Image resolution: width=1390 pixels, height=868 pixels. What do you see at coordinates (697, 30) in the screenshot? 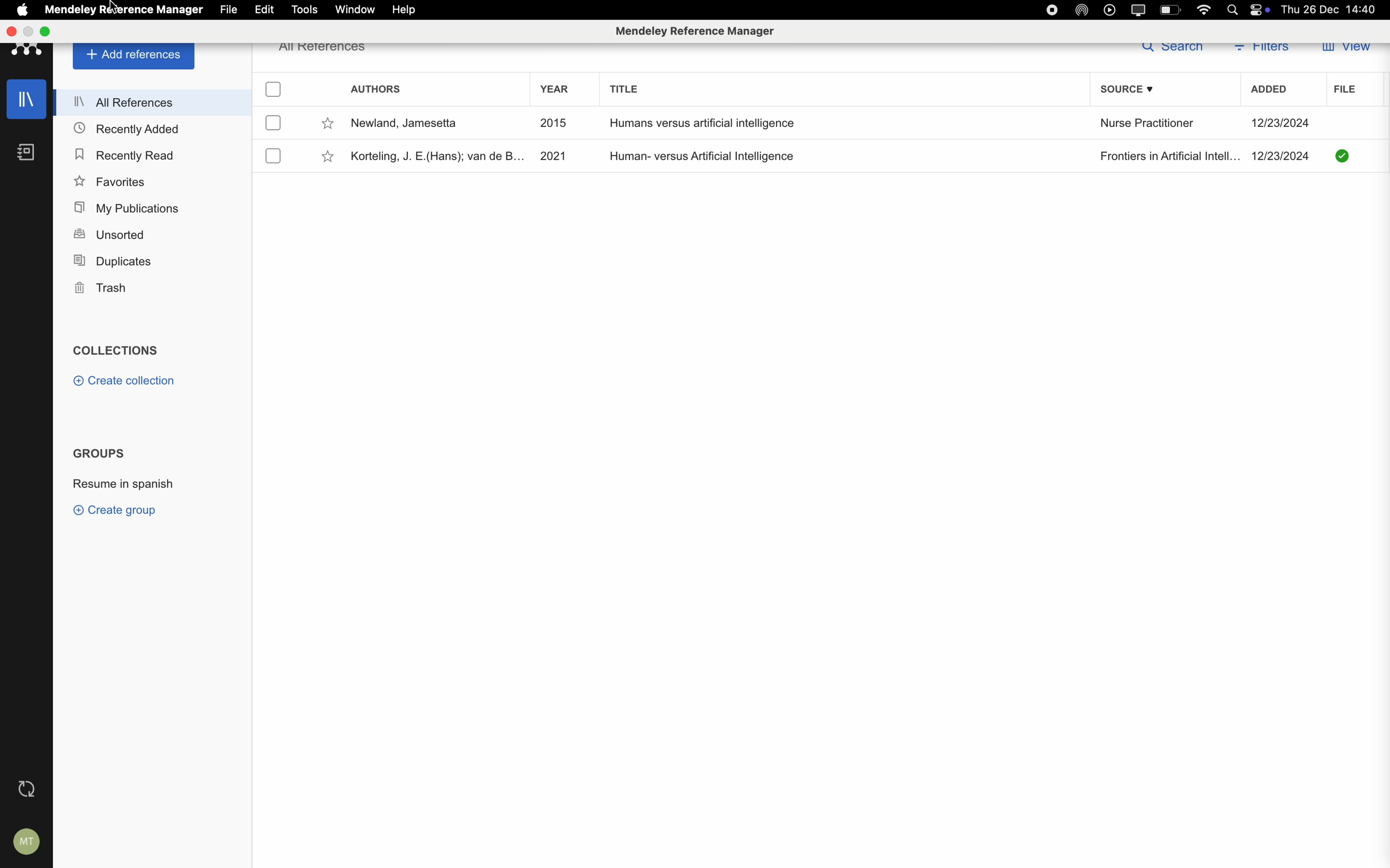
I see `Mendeley Manager` at bounding box center [697, 30].